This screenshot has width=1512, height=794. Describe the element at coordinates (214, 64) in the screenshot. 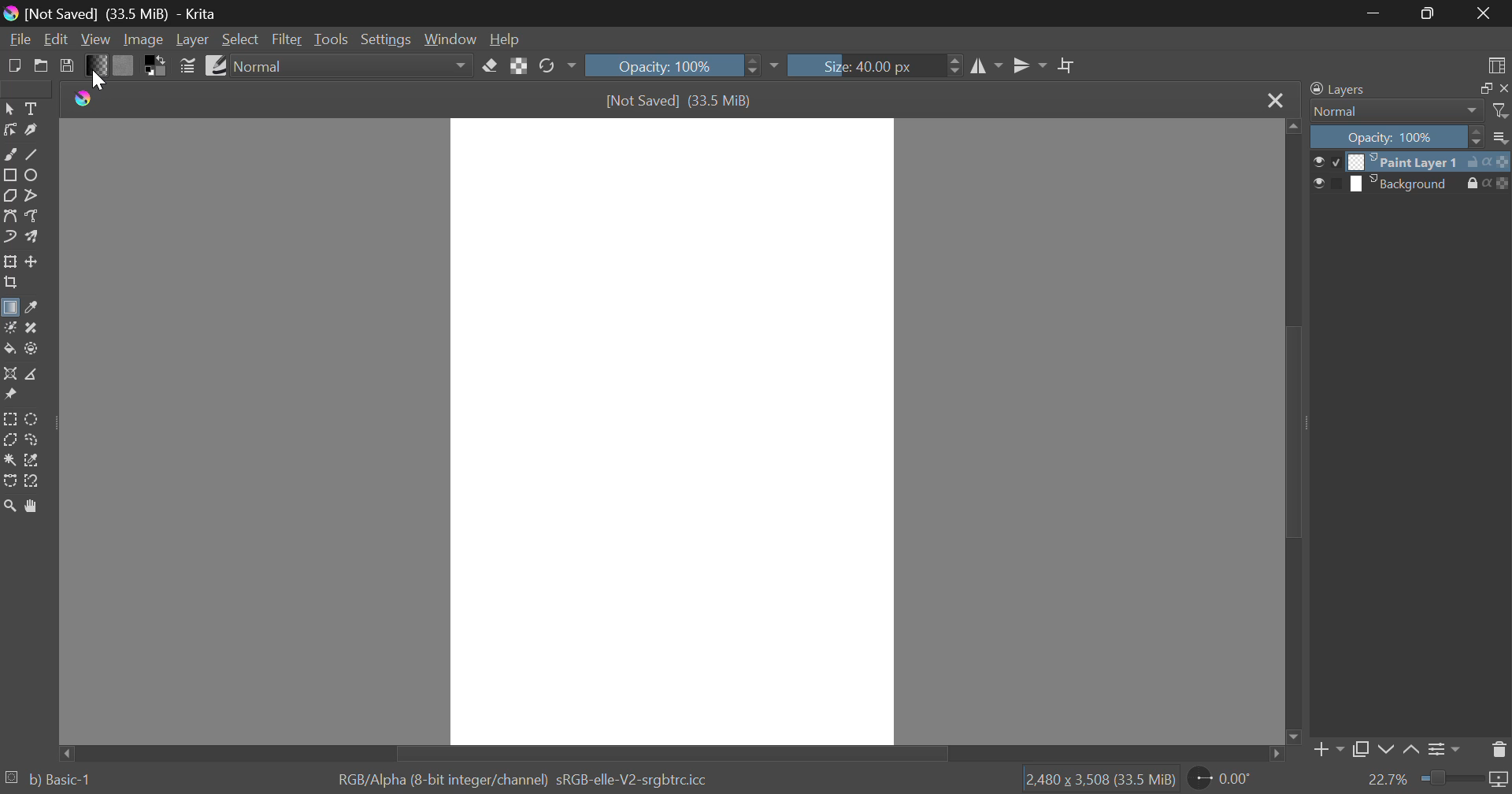

I see `Brush Presets` at that location.